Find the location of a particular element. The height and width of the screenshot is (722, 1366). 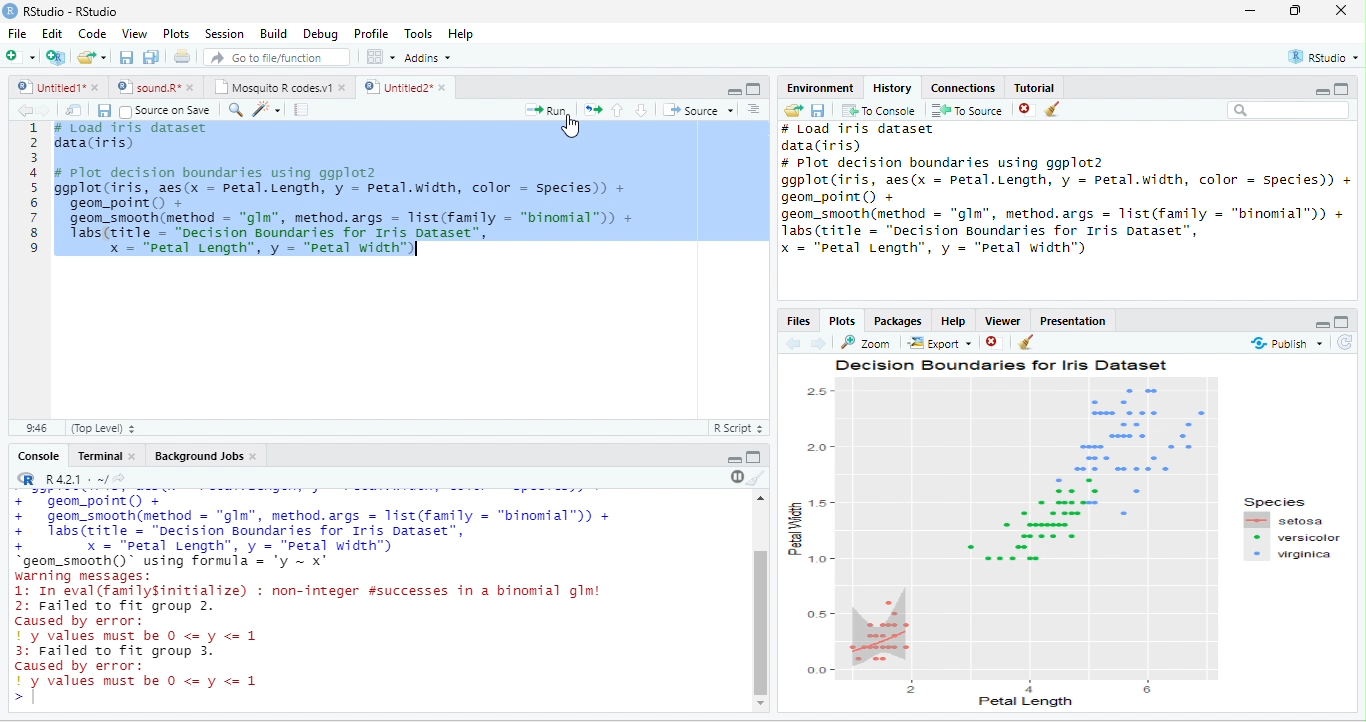

options is located at coordinates (381, 57).